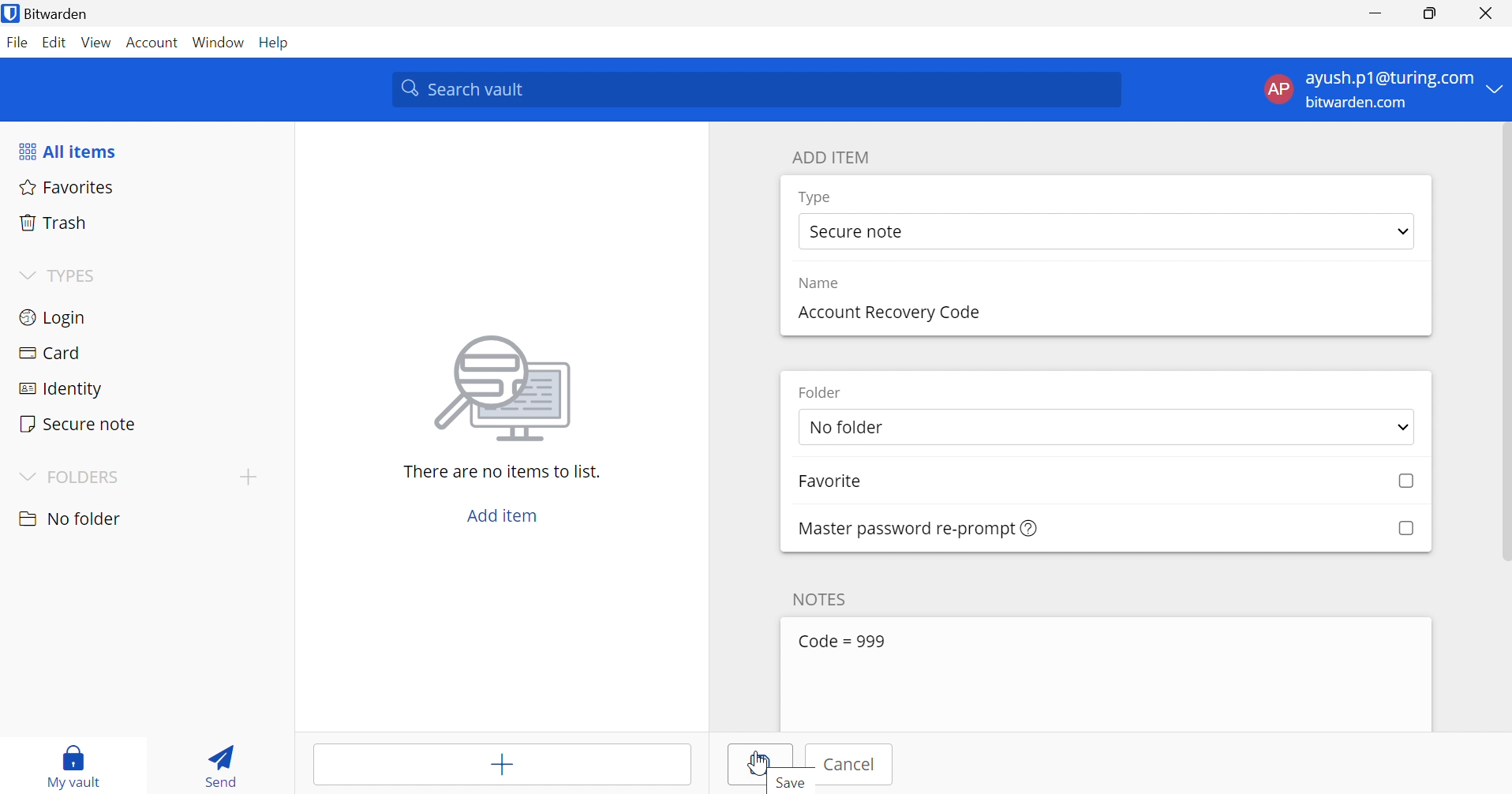 The width and height of the screenshot is (1512, 794). Describe the element at coordinates (501, 472) in the screenshot. I see `There are no items to list` at that location.